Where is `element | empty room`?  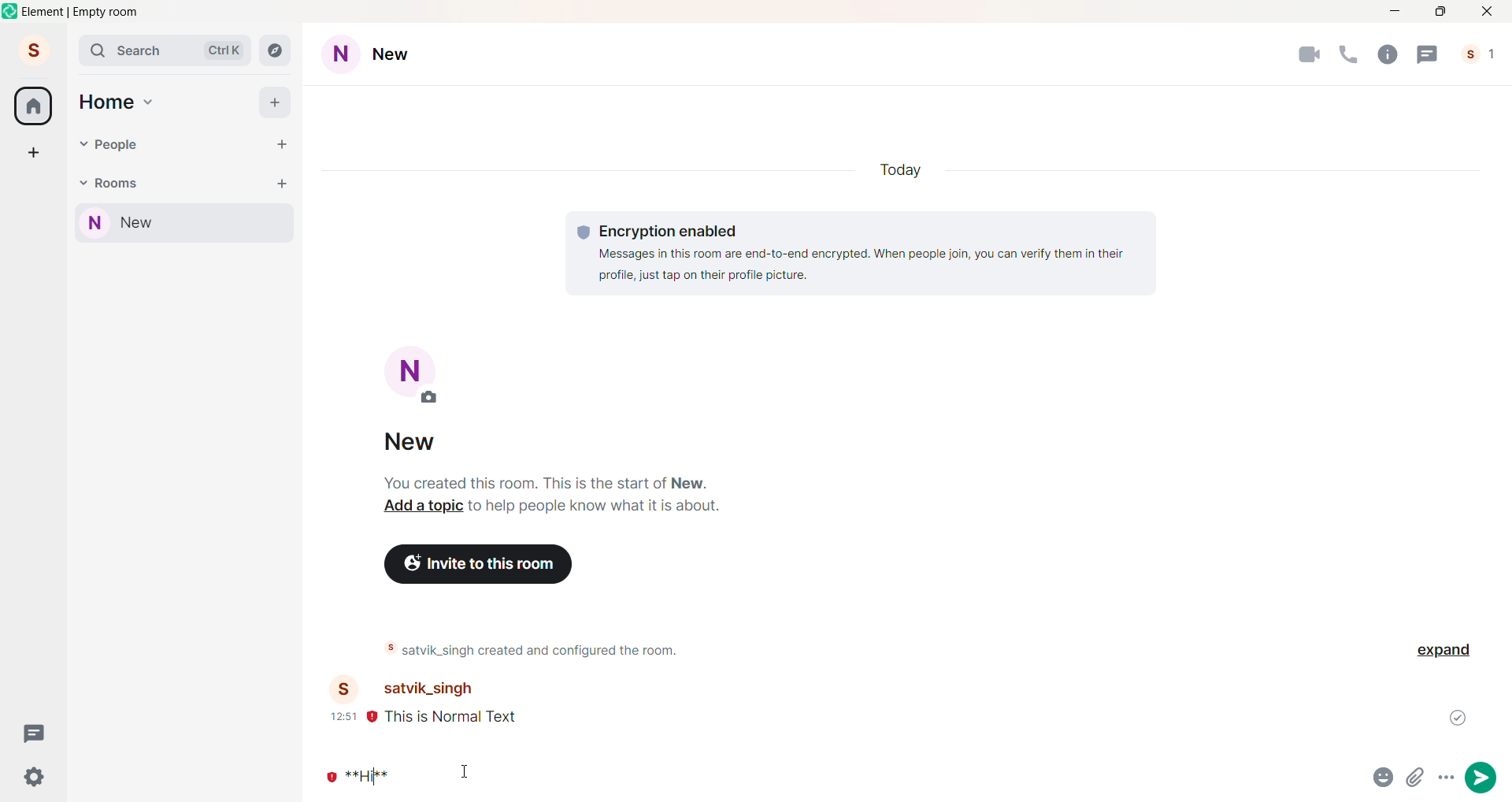
element | empty room is located at coordinates (81, 12).